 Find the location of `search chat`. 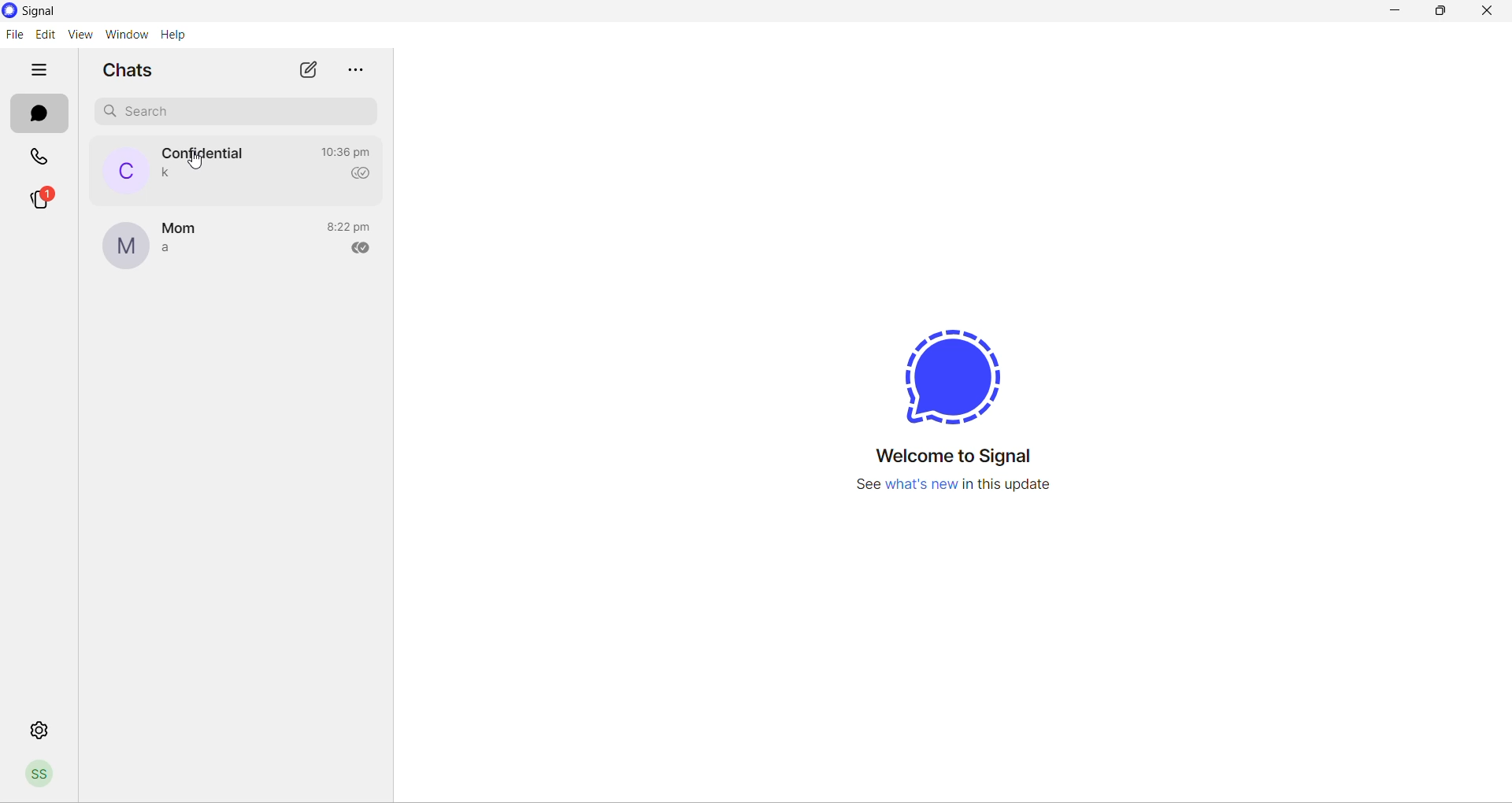

search chat is located at coordinates (237, 113).